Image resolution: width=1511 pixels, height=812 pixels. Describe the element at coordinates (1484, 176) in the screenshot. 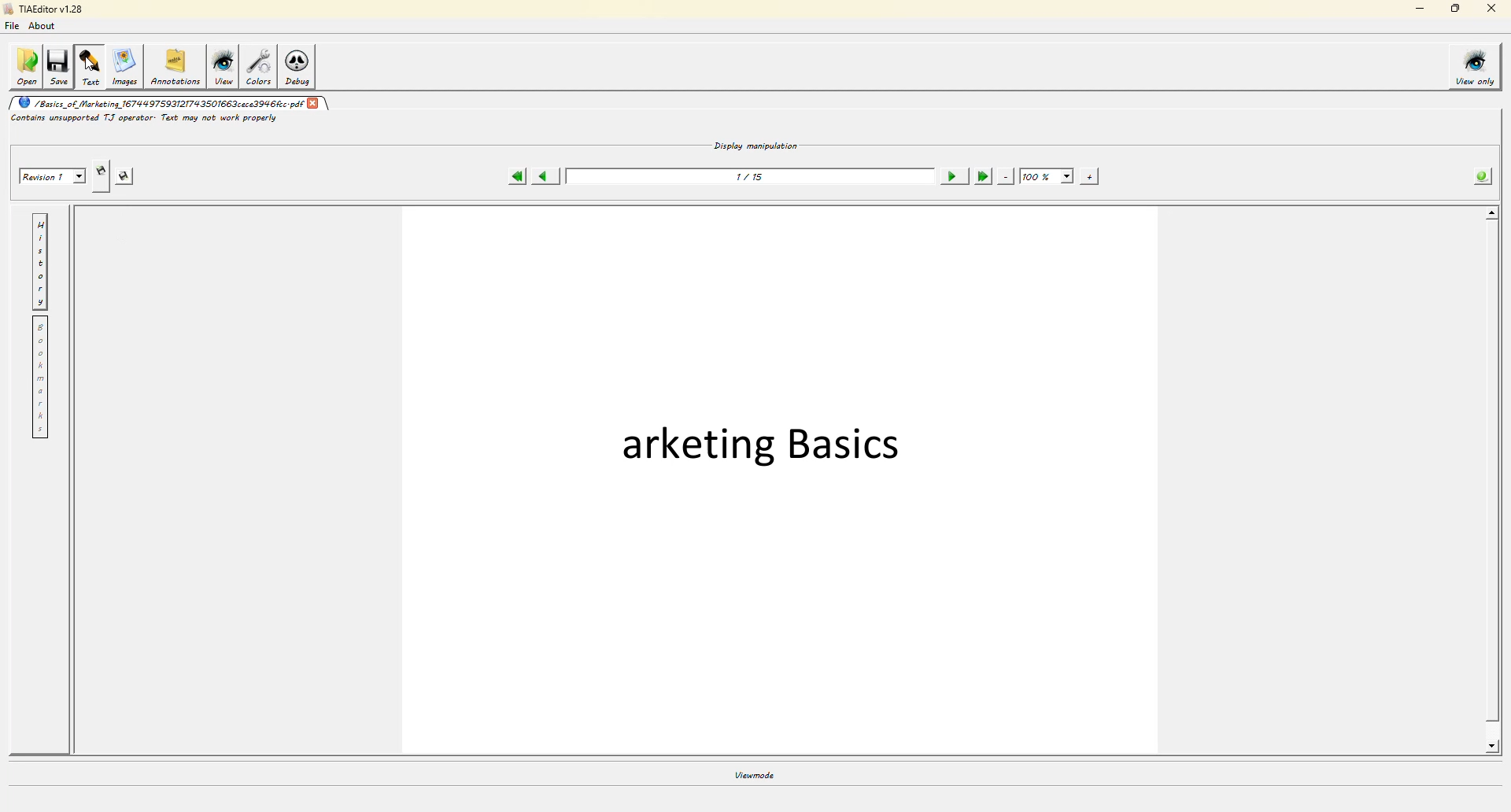

I see `info about the pdf` at that location.